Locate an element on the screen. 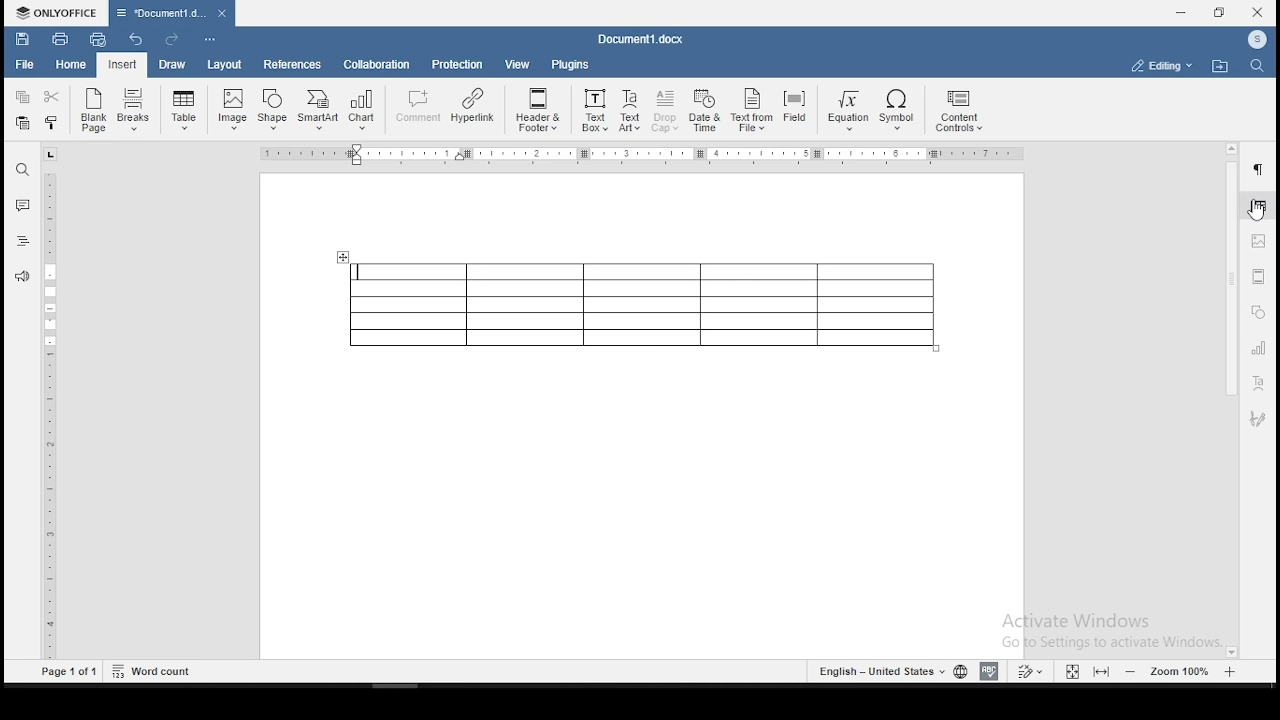 The width and height of the screenshot is (1280, 720). paragraph settings is located at coordinates (1261, 170).